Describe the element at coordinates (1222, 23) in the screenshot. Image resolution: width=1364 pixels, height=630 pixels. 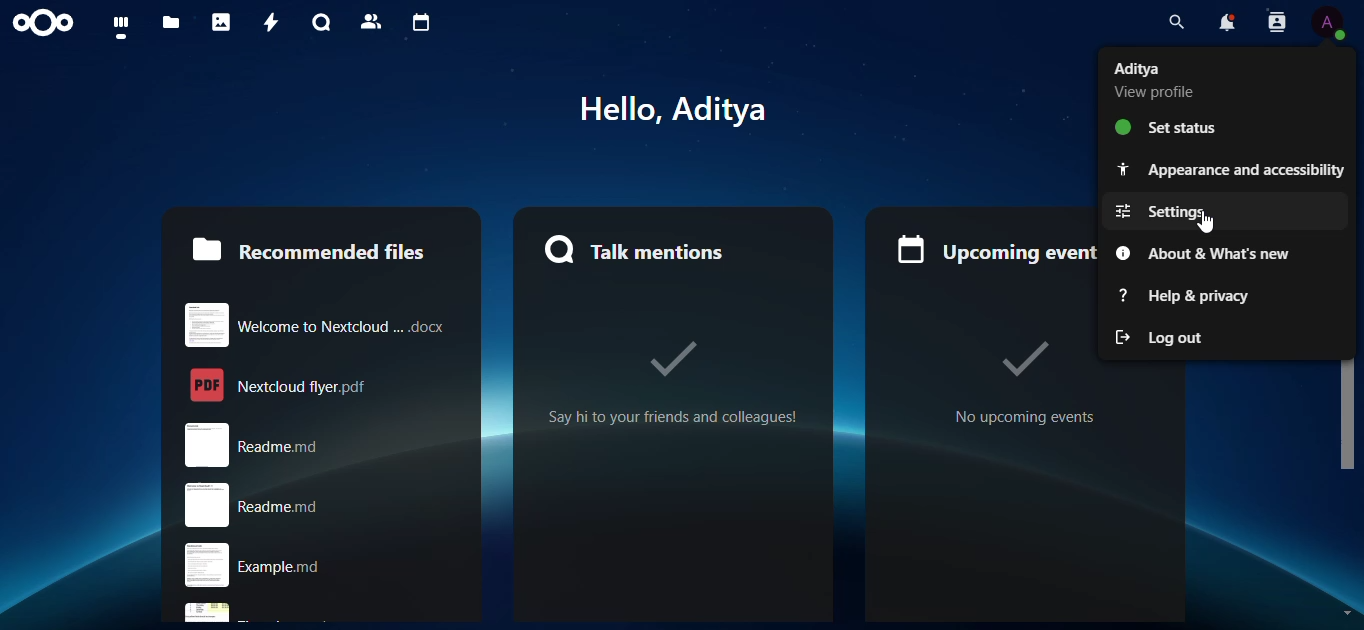
I see `notifications` at that location.